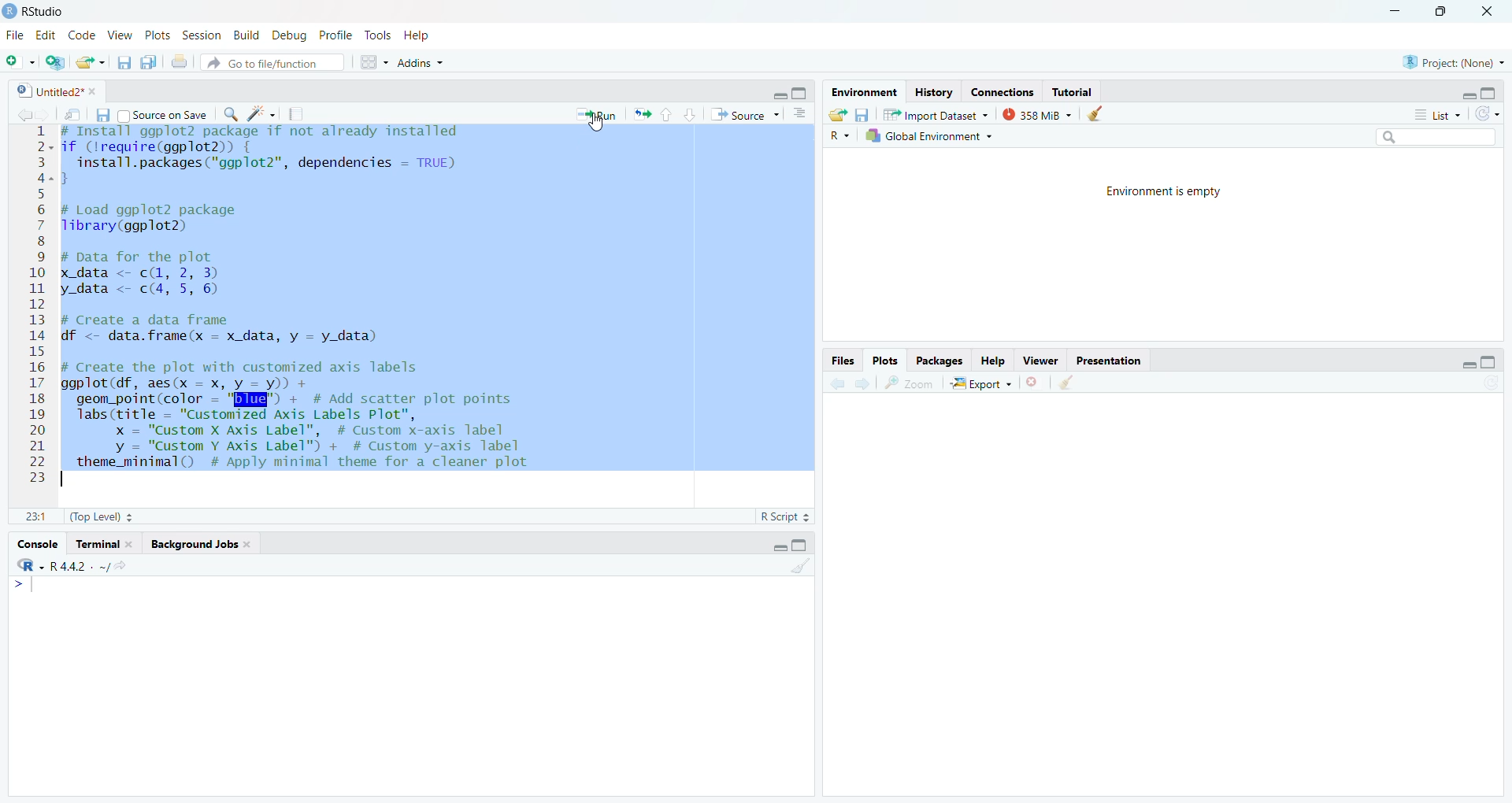  What do you see at coordinates (646, 117) in the screenshot?
I see `export` at bounding box center [646, 117].